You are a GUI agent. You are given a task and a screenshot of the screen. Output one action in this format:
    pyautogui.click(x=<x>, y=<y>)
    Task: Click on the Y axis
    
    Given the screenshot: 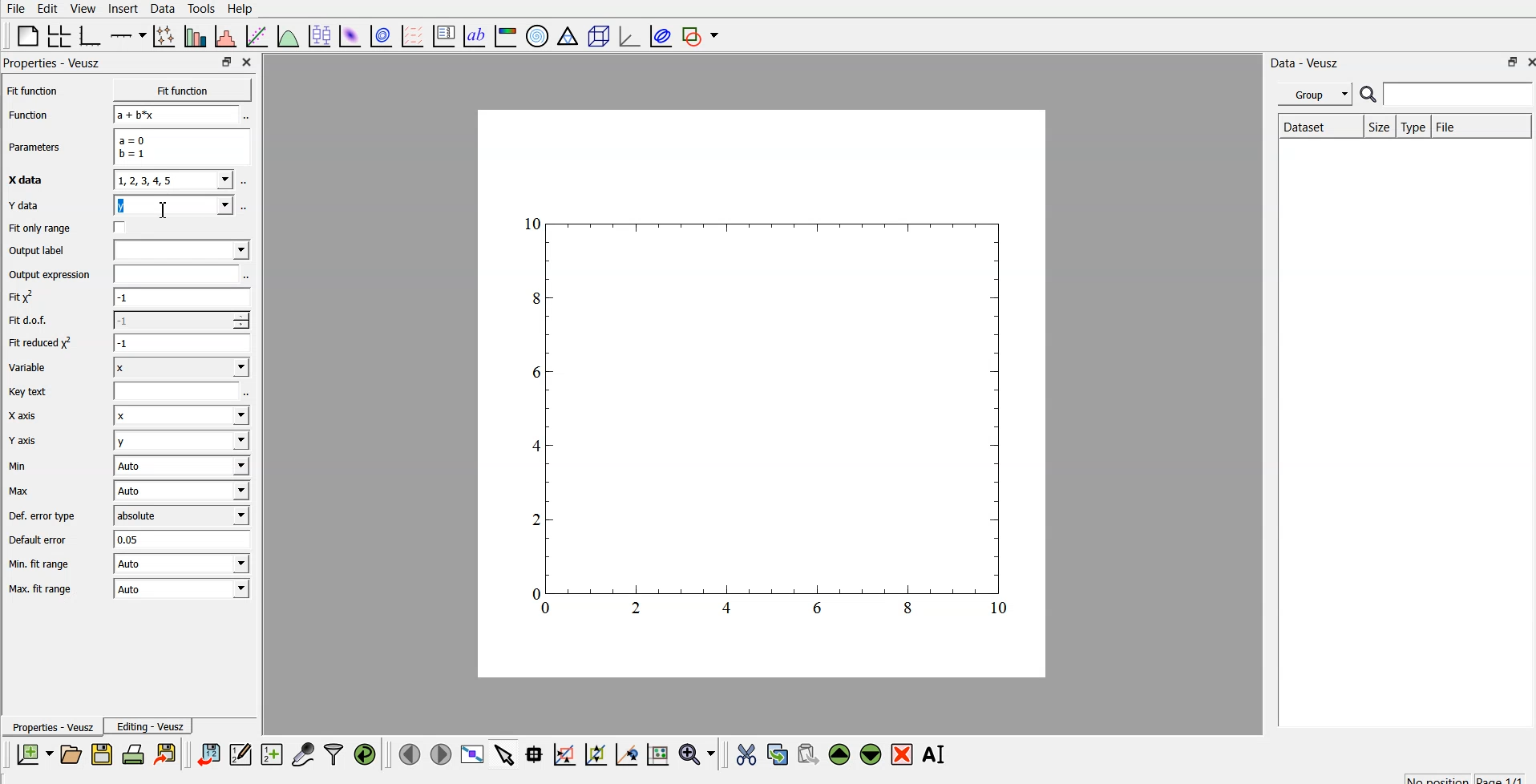 What is the action you would take?
    pyautogui.click(x=39, y=441)
    